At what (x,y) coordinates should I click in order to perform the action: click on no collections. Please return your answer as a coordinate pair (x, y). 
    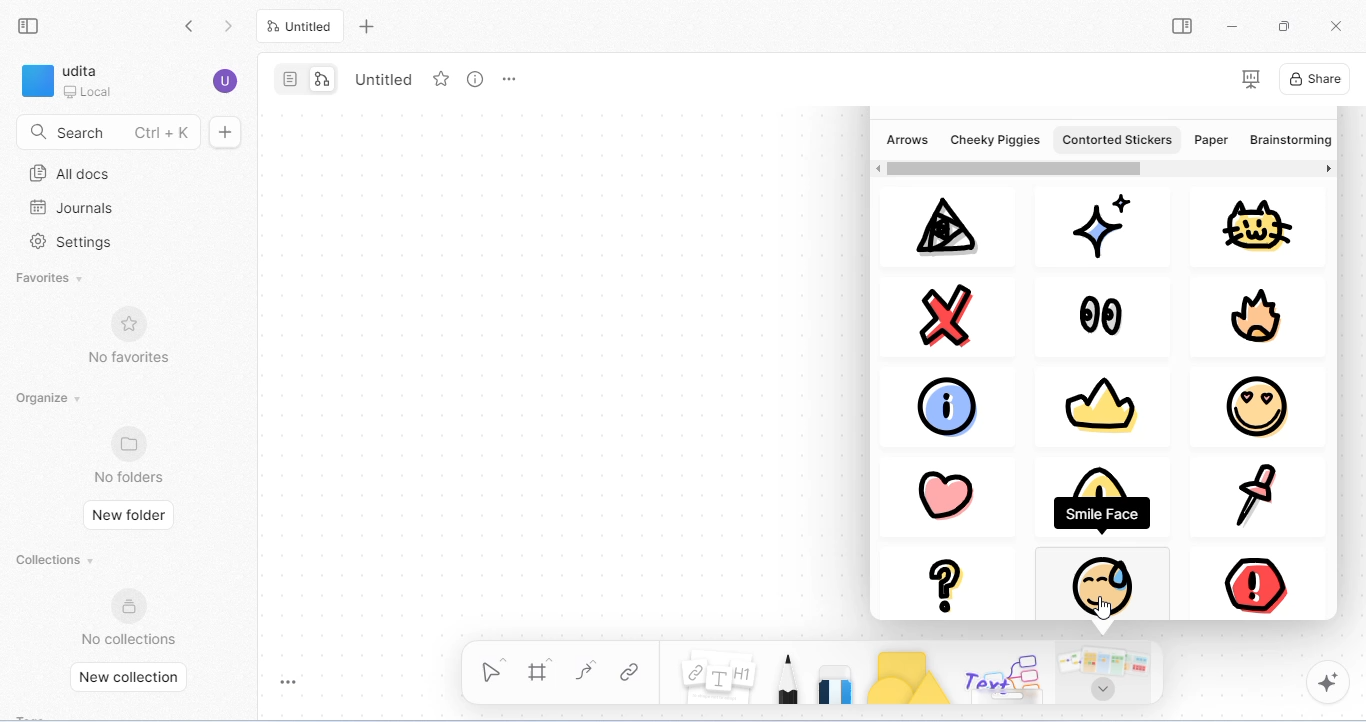
    Looking at the image, I should click on (129, 616).